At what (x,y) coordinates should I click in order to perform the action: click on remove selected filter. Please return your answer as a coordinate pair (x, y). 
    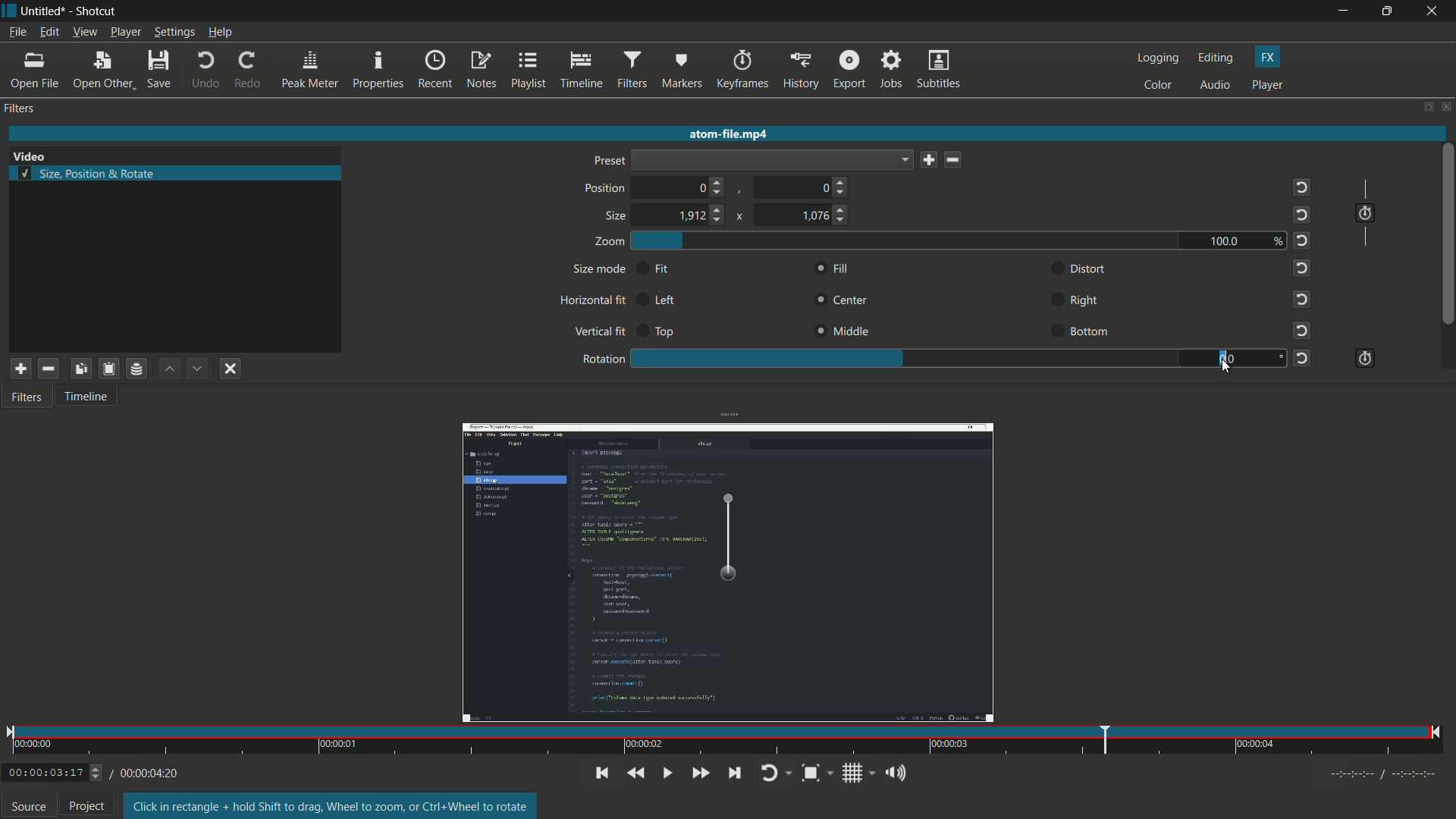
    Looking at the image, I should click on (49, 368).